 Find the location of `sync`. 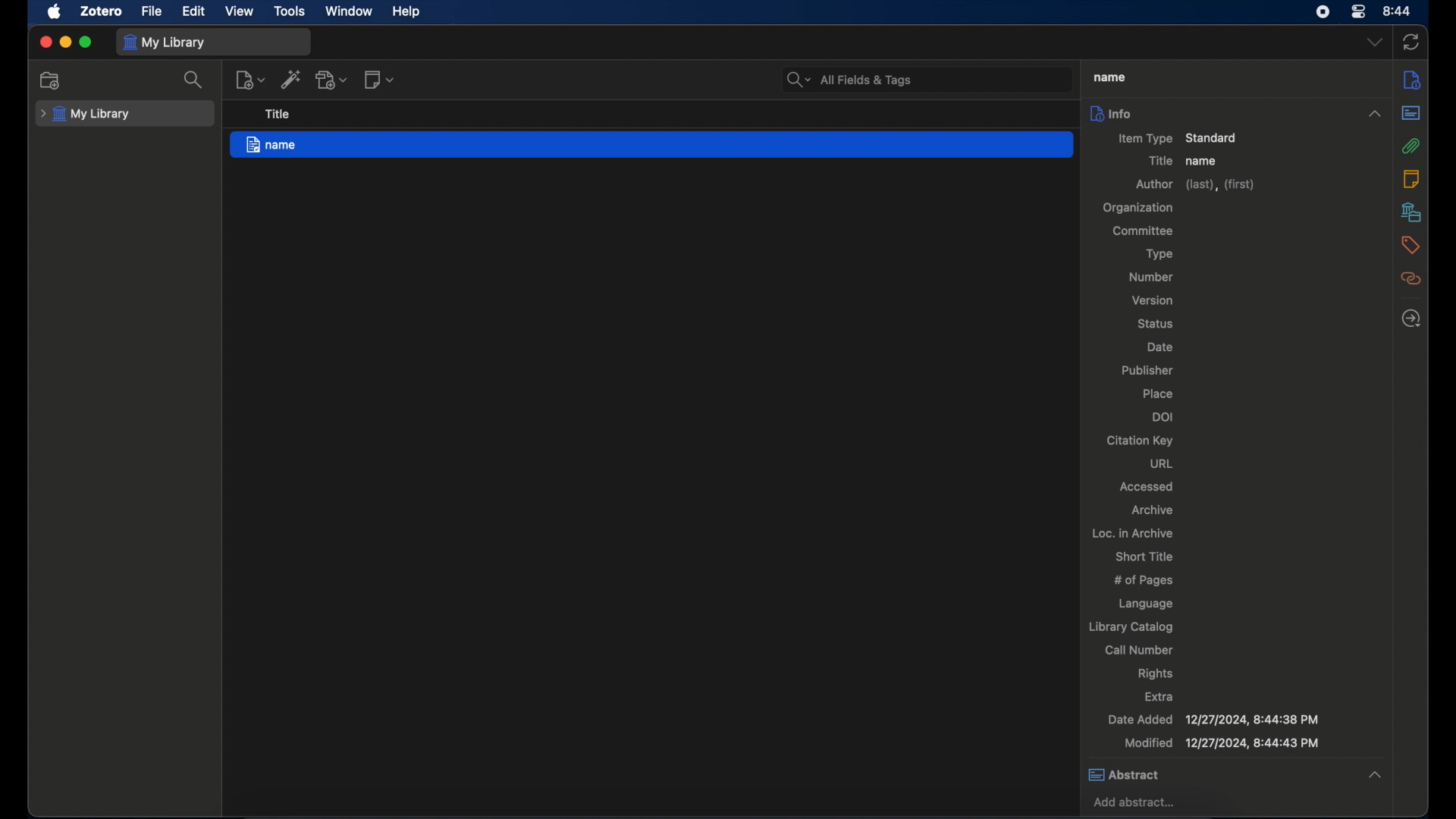

sync is located at coordinates (1414, 41).